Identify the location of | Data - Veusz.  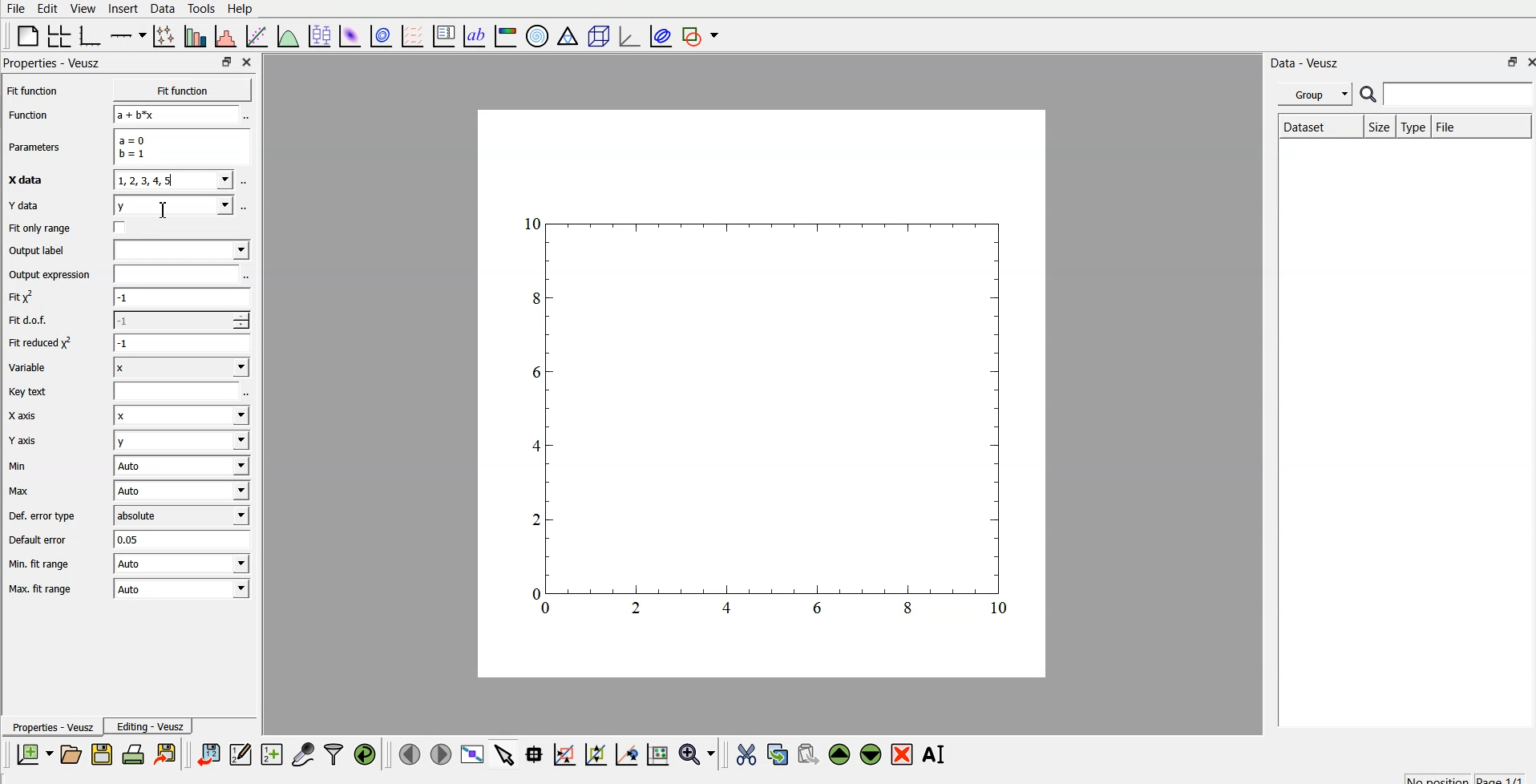
(1303, 63).